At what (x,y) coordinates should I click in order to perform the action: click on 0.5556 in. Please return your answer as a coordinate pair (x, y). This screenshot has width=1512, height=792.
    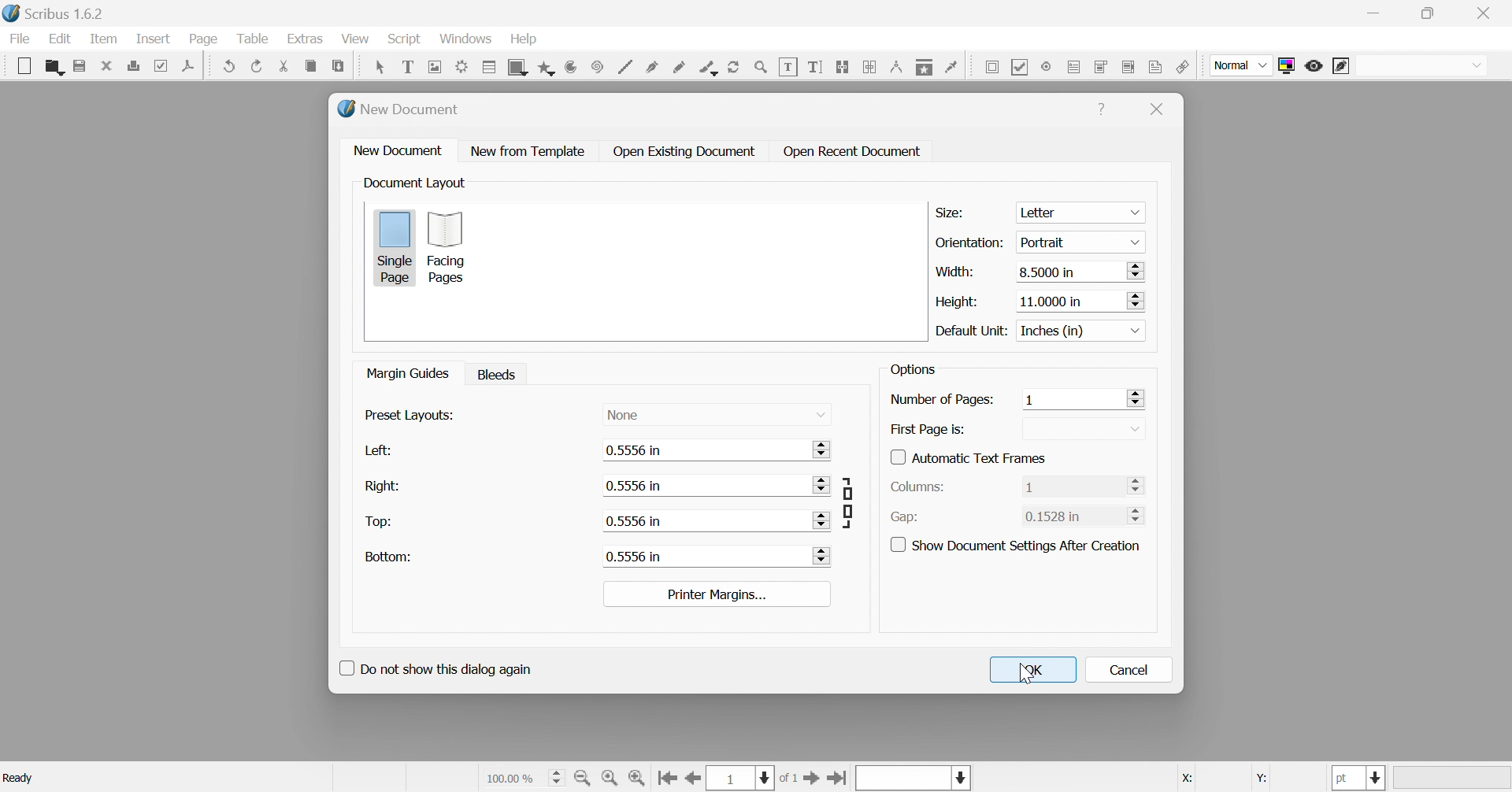
    Looking at the image, I should click on (632, 486).